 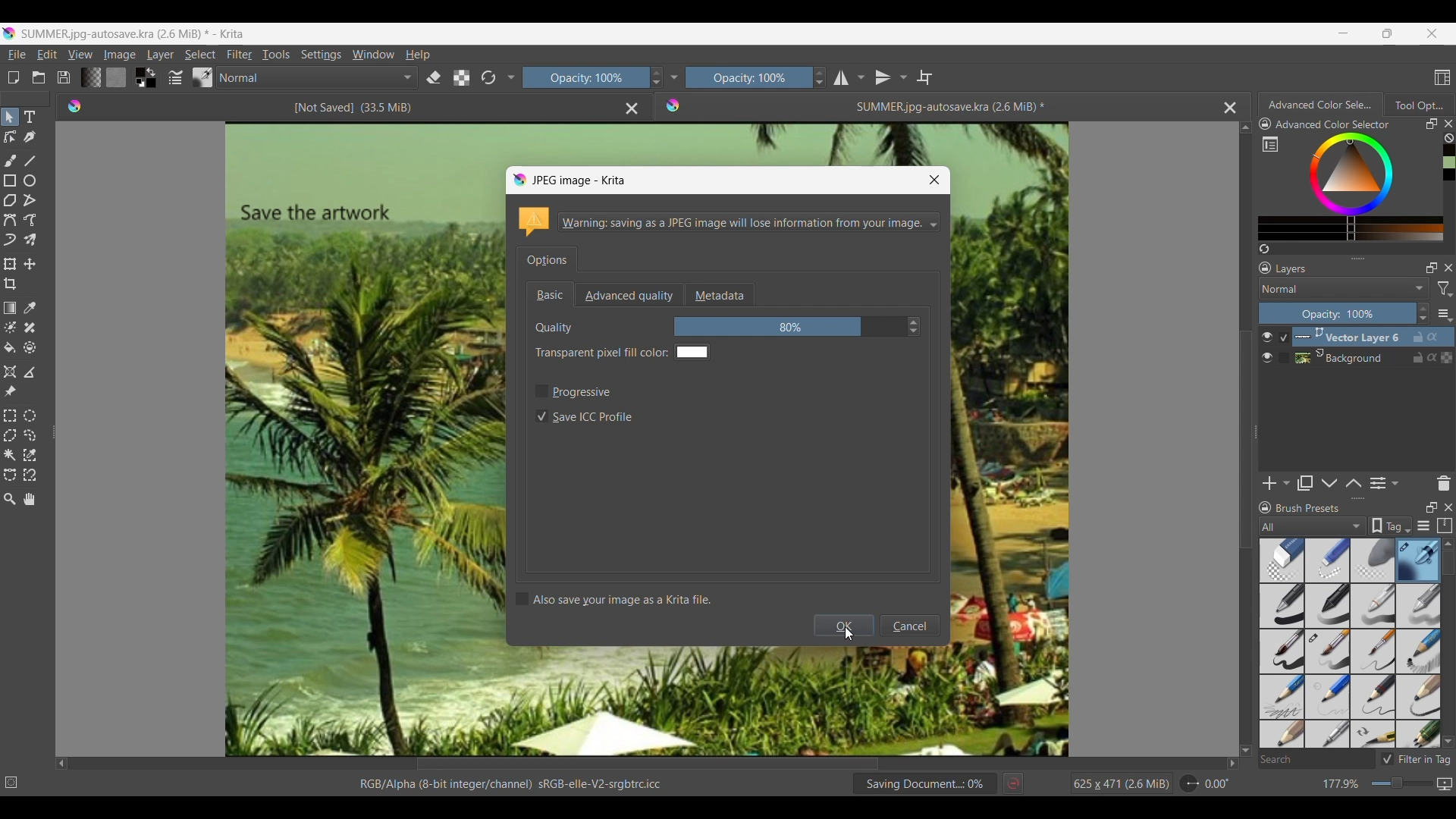 I want to click on Image/Artwork space, so click(x=728, y=701).